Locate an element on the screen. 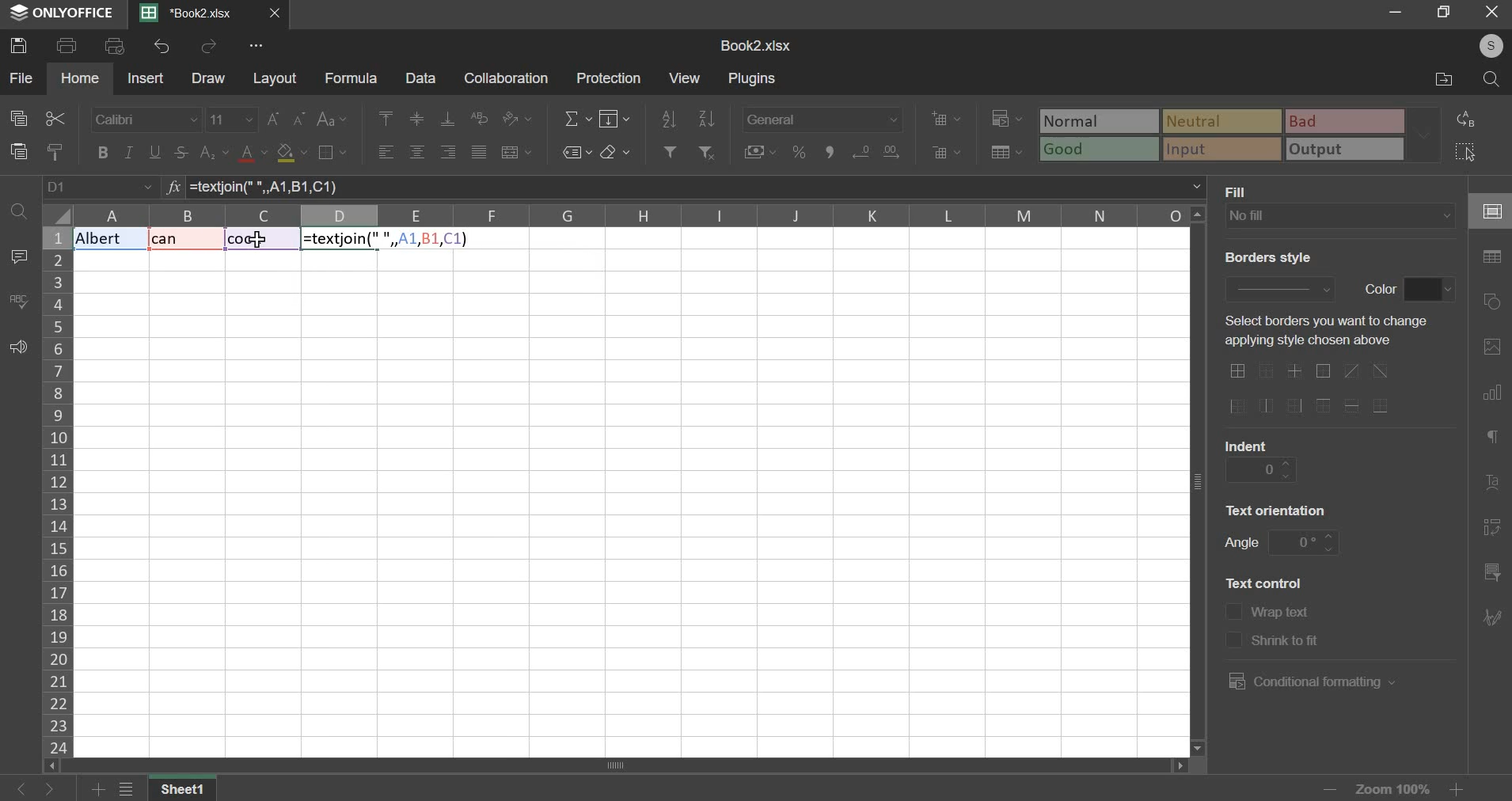 The width and height of the screenshot is (1512, 801). save is located at coordinates (22, 45).